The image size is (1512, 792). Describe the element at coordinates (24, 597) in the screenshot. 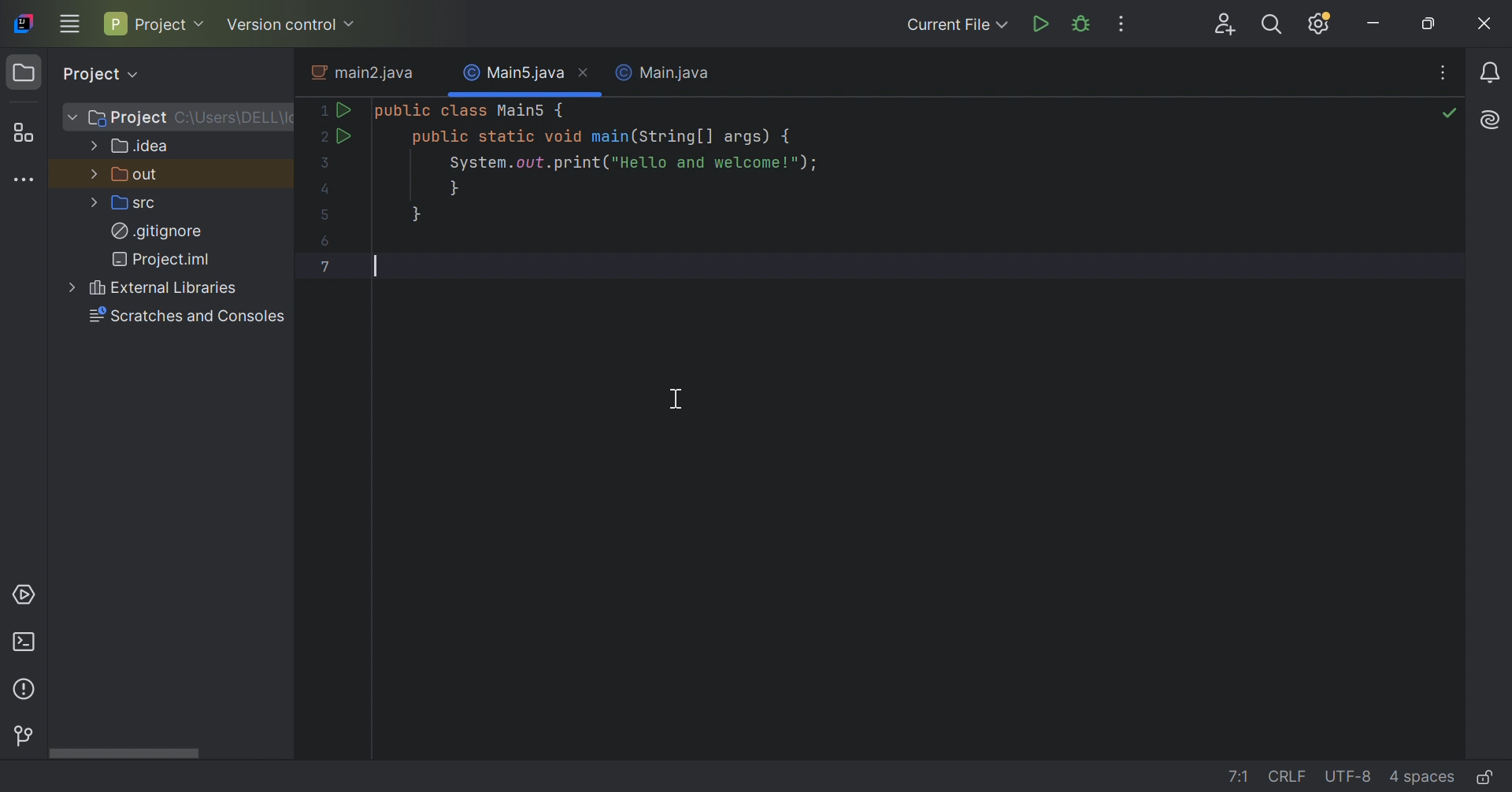

I see `Services` at that location.